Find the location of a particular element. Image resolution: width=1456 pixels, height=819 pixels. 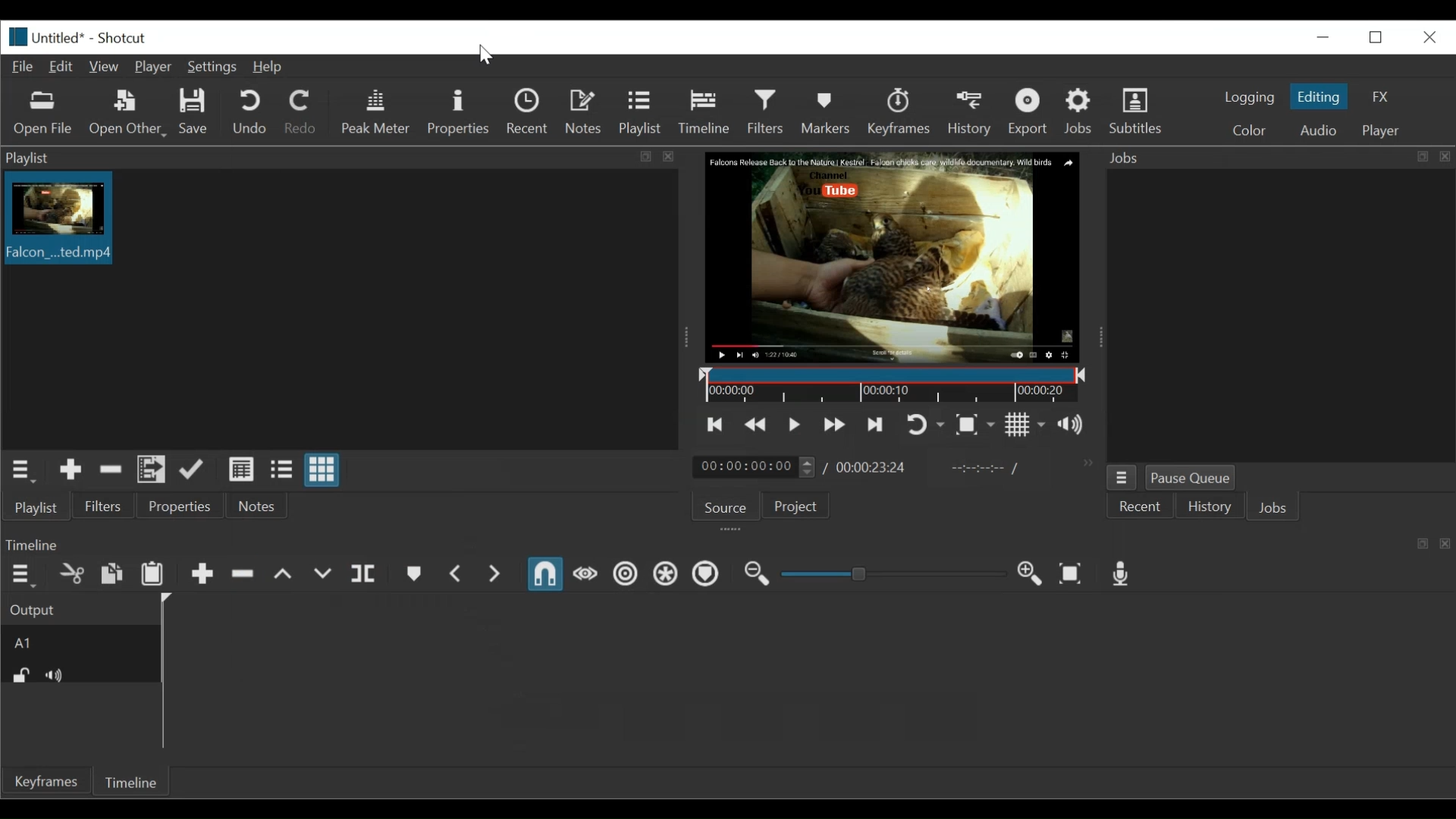

Copy is located at coordinates (113, 574).